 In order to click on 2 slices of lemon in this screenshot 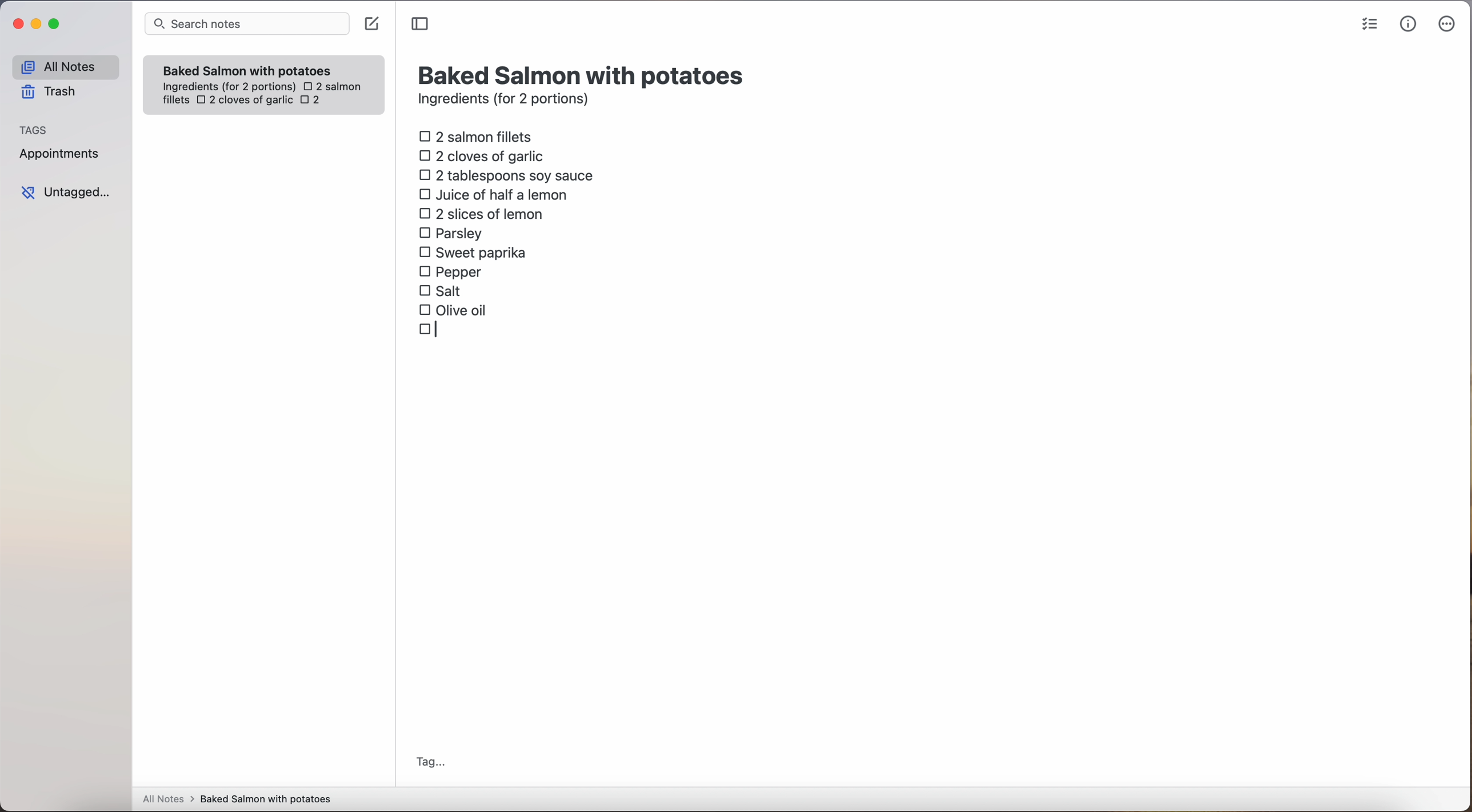, I will do `click(482, 214)`.